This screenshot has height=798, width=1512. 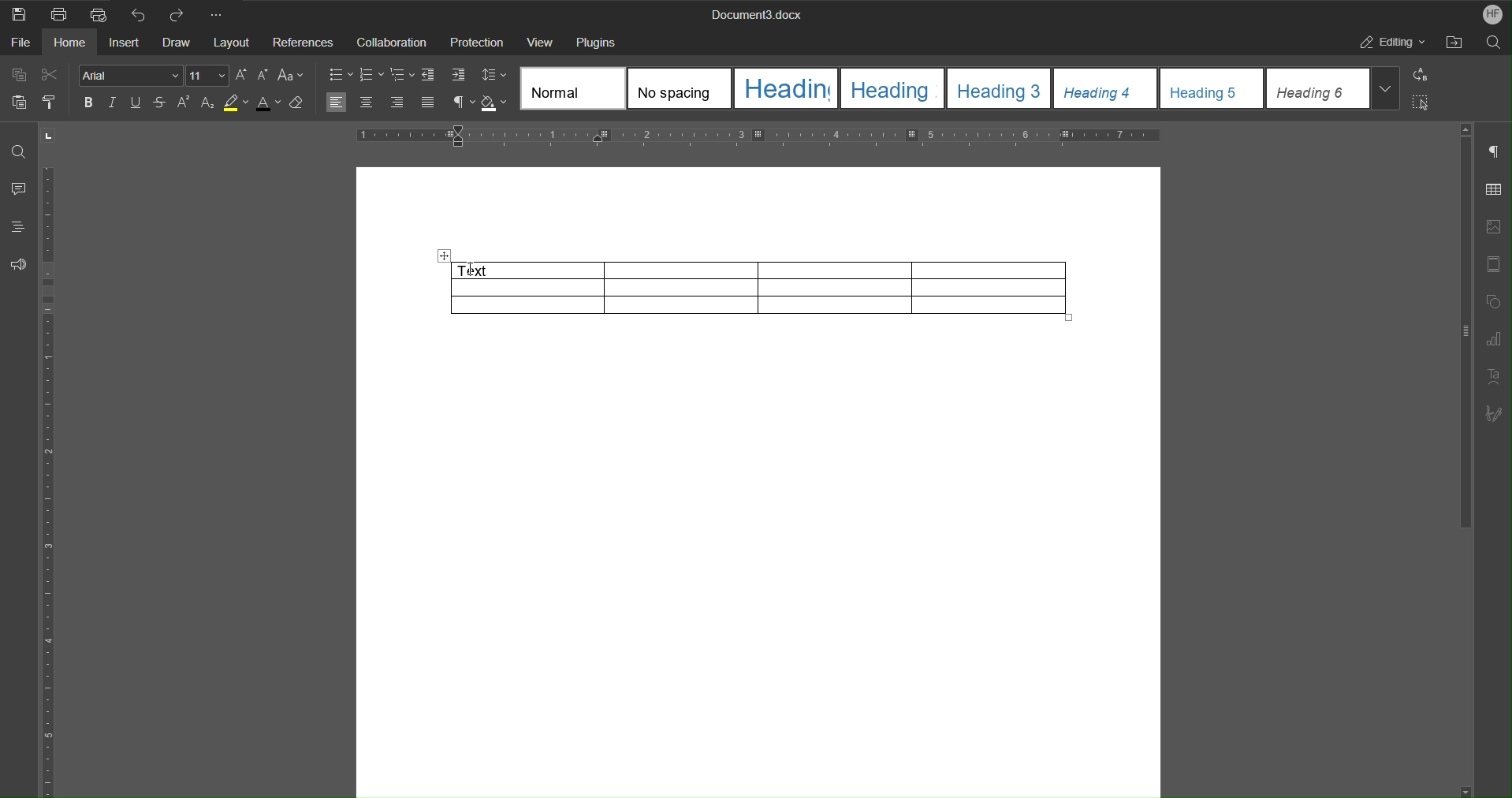 What do you see at coordinates (1454, 42) in the screenshot?
I see `Open File Location` at bounding box center [1454, 42].